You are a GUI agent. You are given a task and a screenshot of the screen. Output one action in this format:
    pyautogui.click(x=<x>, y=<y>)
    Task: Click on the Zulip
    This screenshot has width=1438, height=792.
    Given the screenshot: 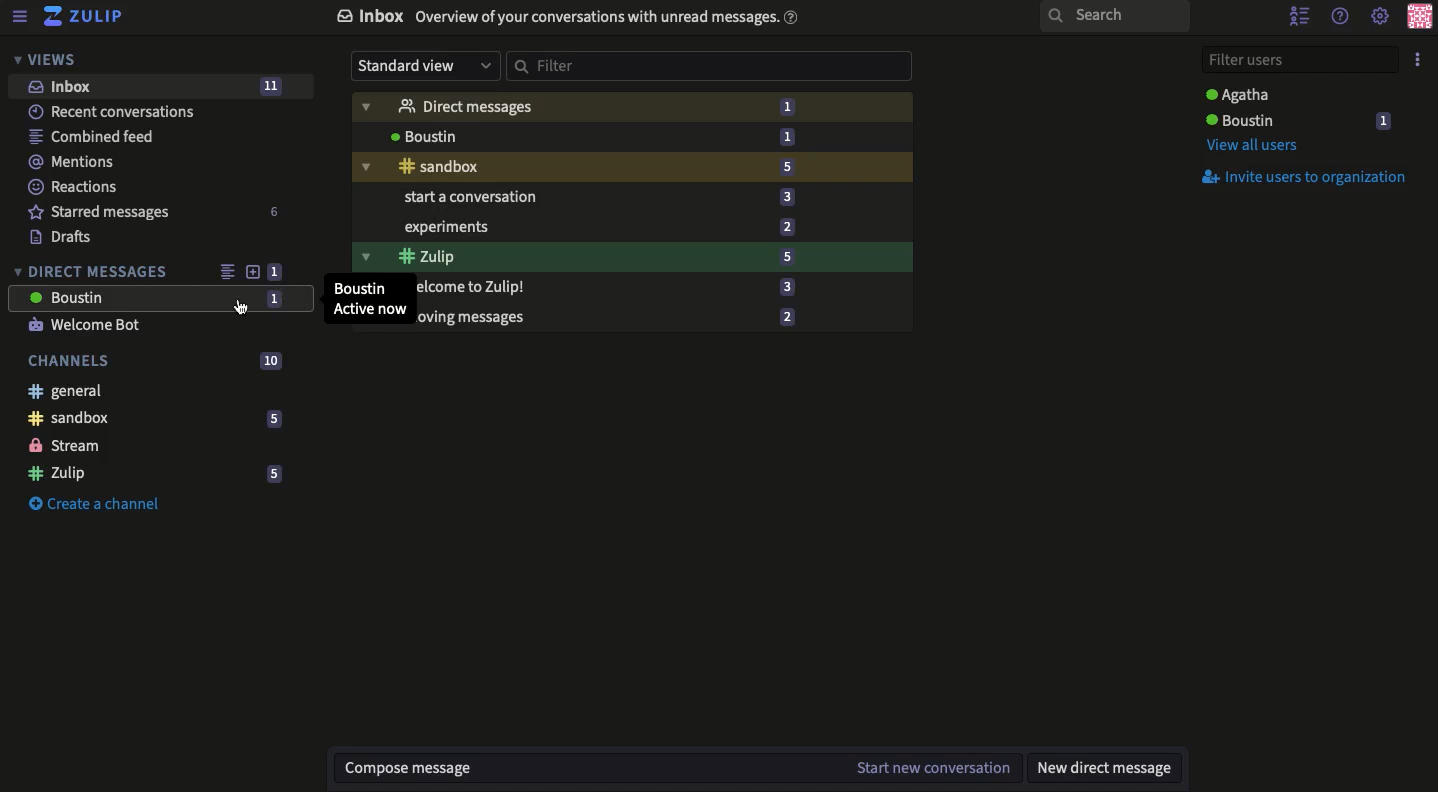 What is the action you would take?
    pyautogui.click(x=84, y=15)
    